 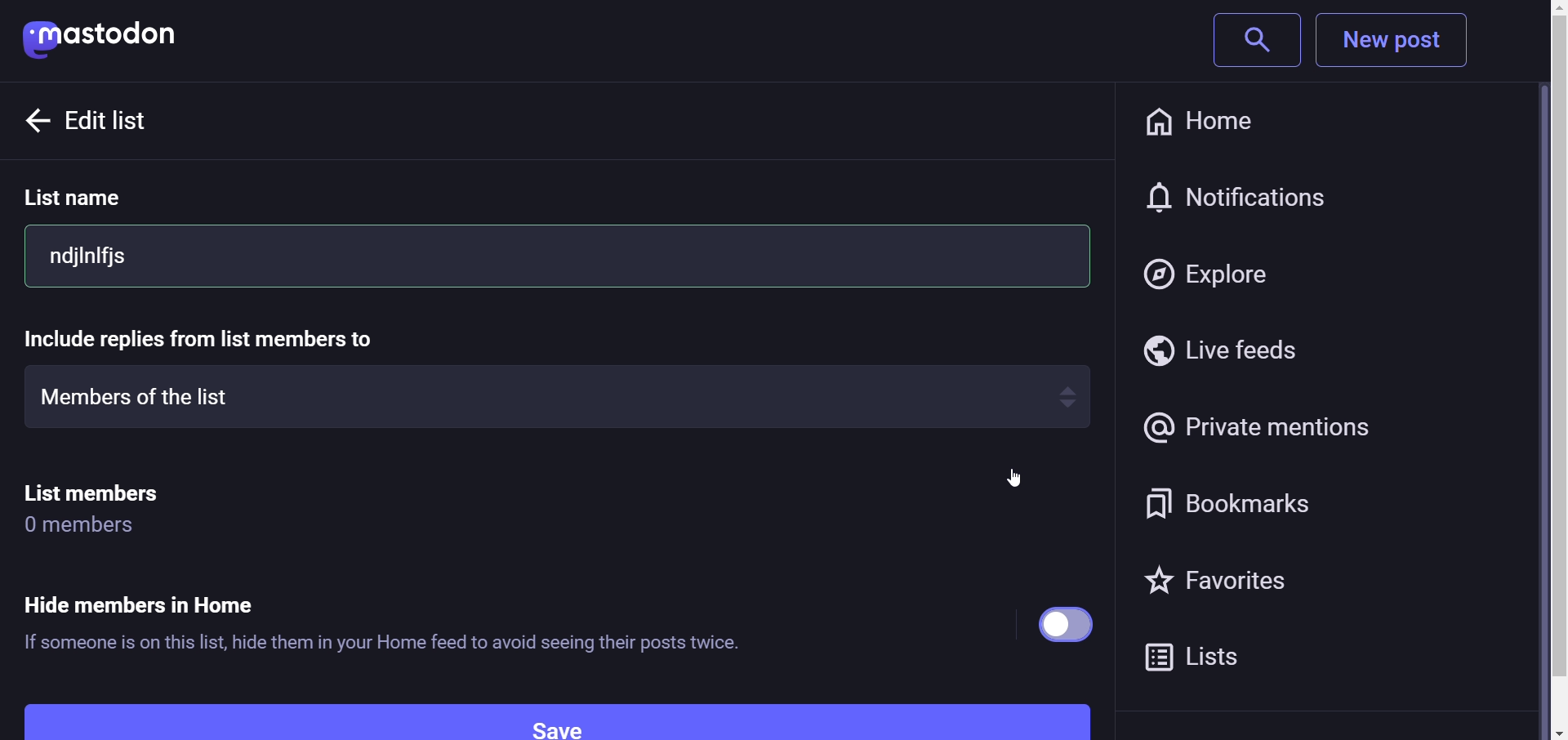 I want to click on back, so click(x=34, y=118).